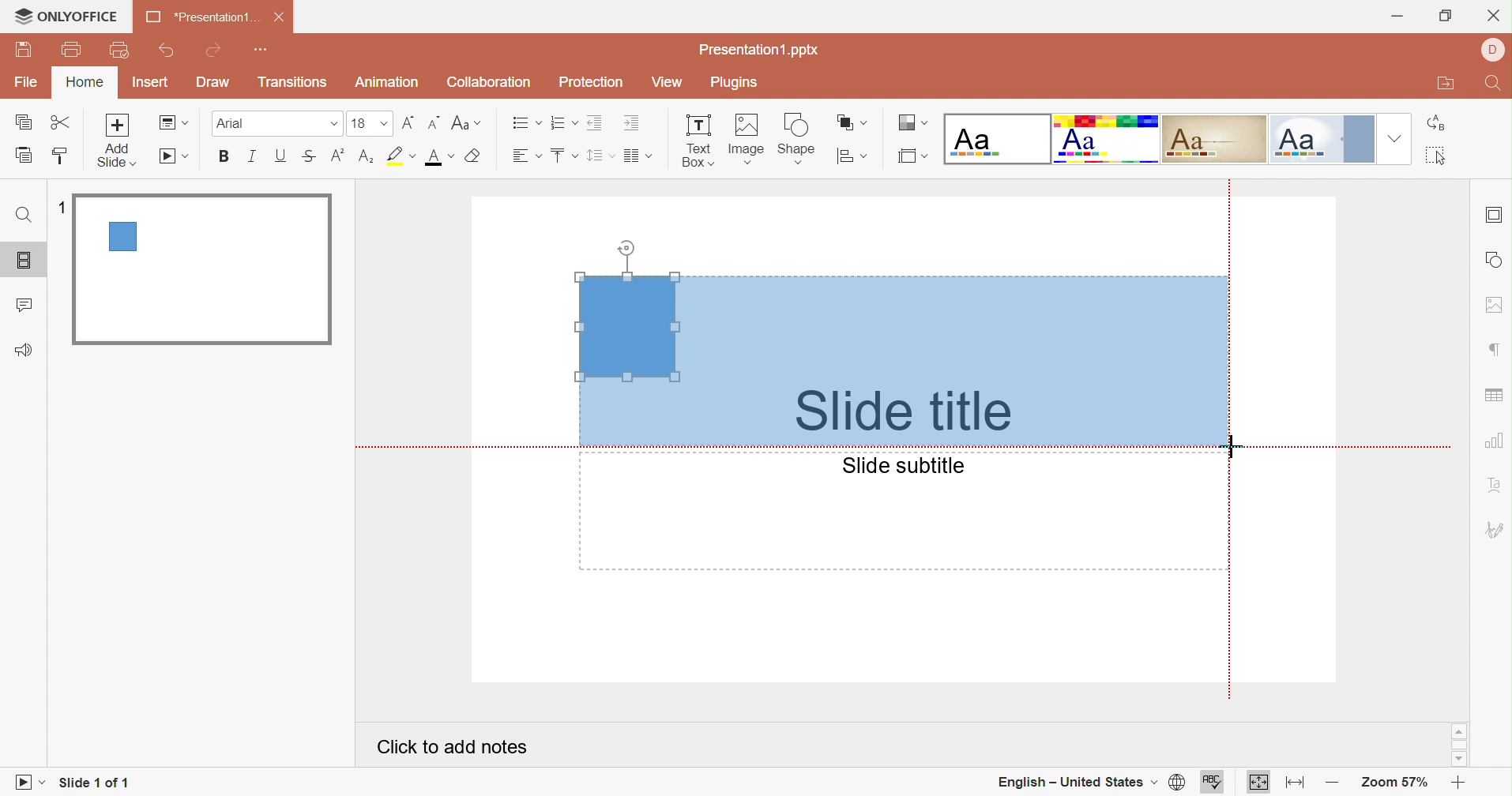 The width and height of the screenshot is (1512, 796). Describe the element at coordinates (852, 160) in the screenshot. I see `Align shape` at that location.